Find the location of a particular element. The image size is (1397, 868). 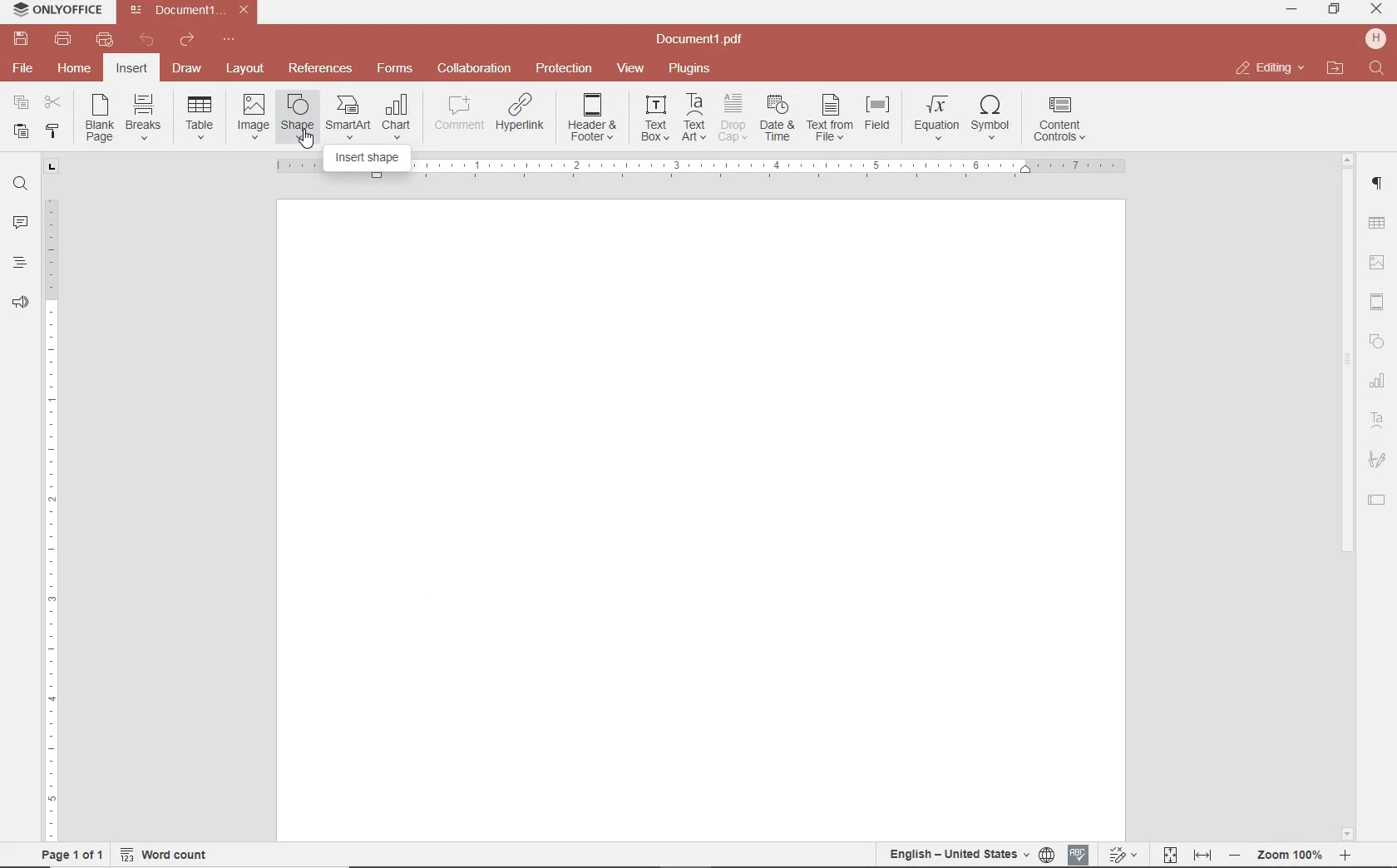

NSERT EQUATION is located at coordinates (935, 116).